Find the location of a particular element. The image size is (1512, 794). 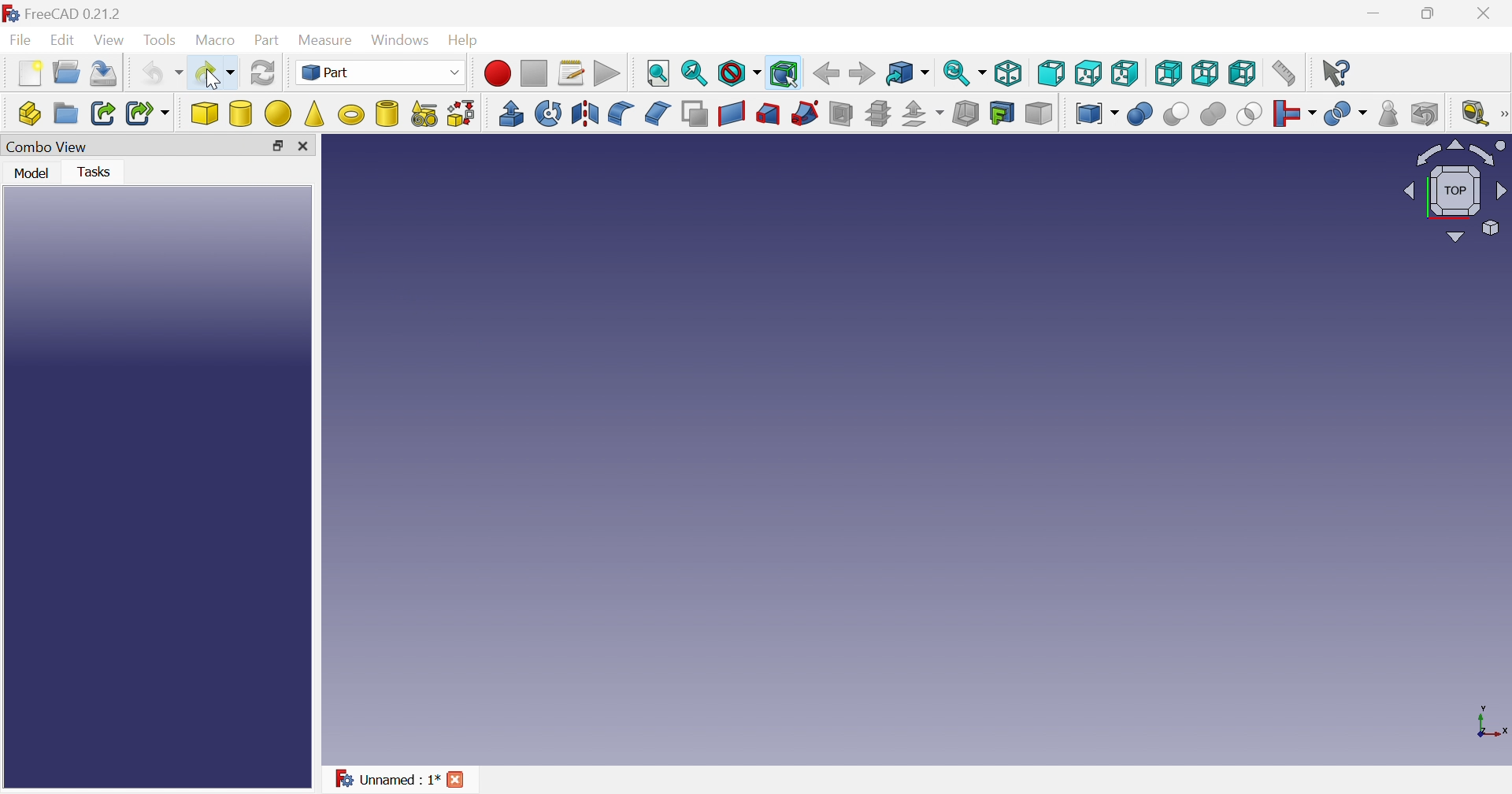

Cone is located at coordinates (313, 113).